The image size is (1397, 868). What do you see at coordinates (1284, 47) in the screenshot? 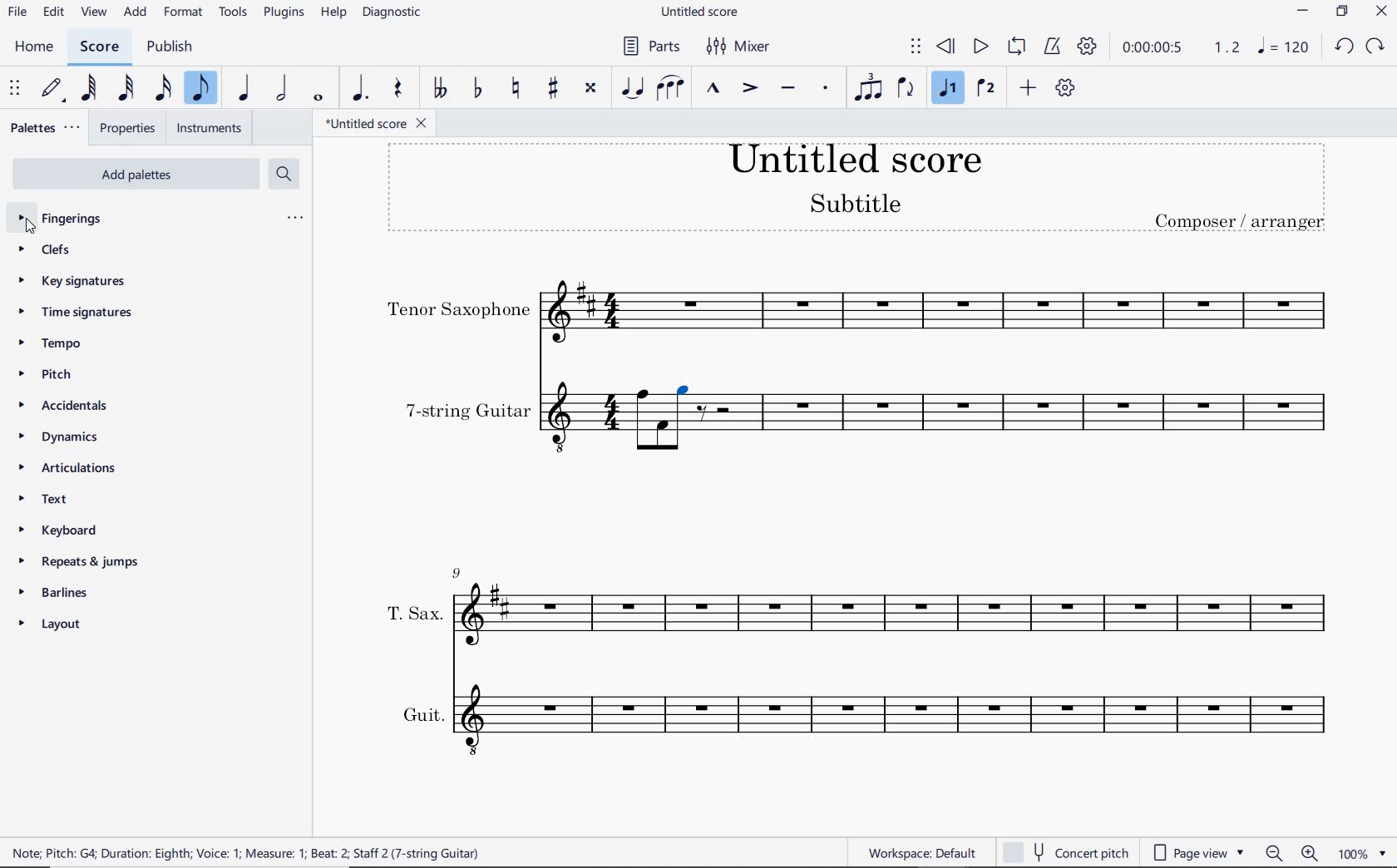
I see `NOTE` at bounding box center [1284, 47].